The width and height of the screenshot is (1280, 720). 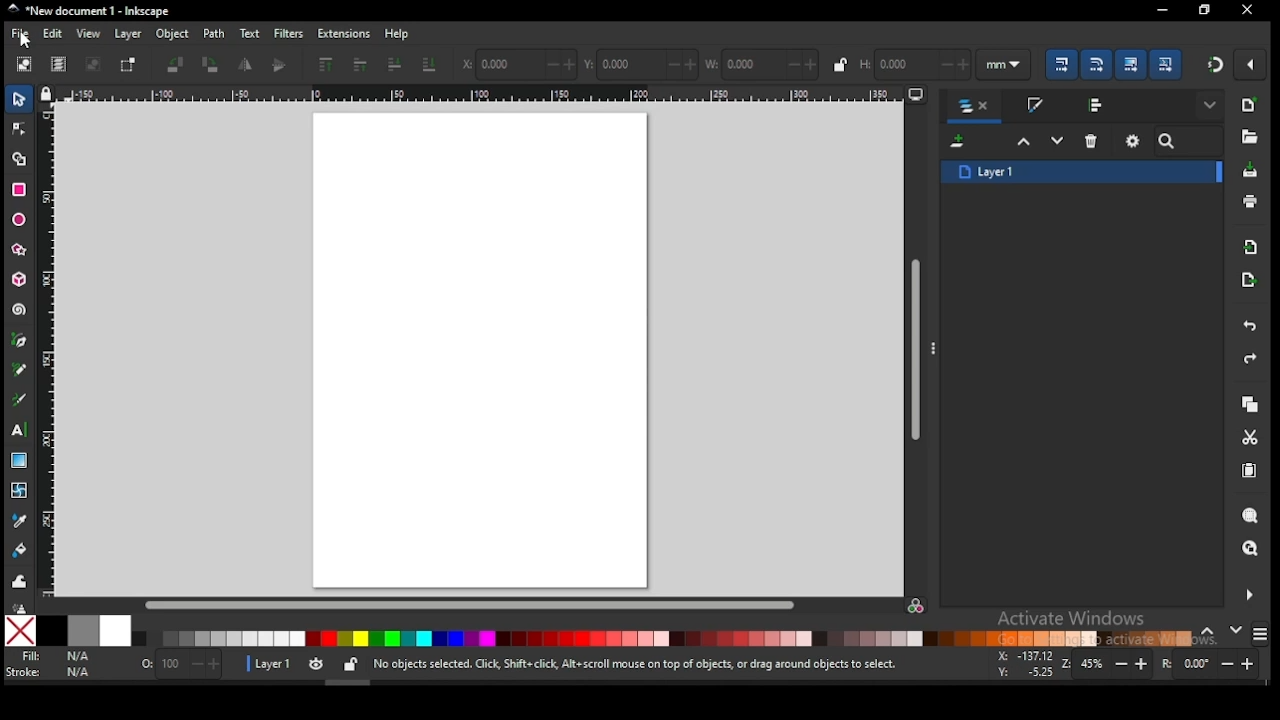 What do you see at coordinates (913, 62) in the screenshot?
I see `height of selection` at bounding box center [913, 62].